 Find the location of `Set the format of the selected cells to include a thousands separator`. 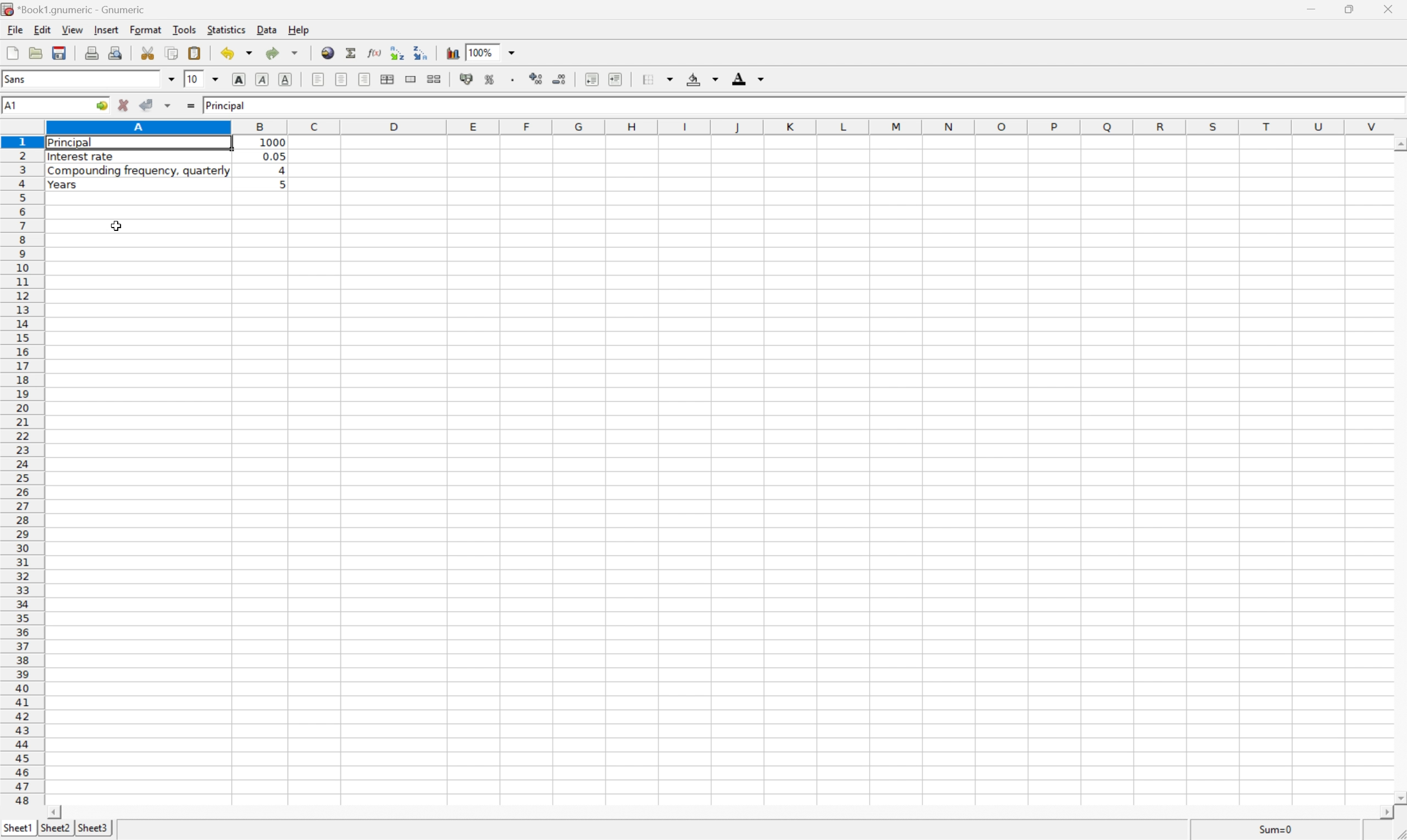

Set the format of the selected cells to include a thousands separator is located at coordinates (513, 79).